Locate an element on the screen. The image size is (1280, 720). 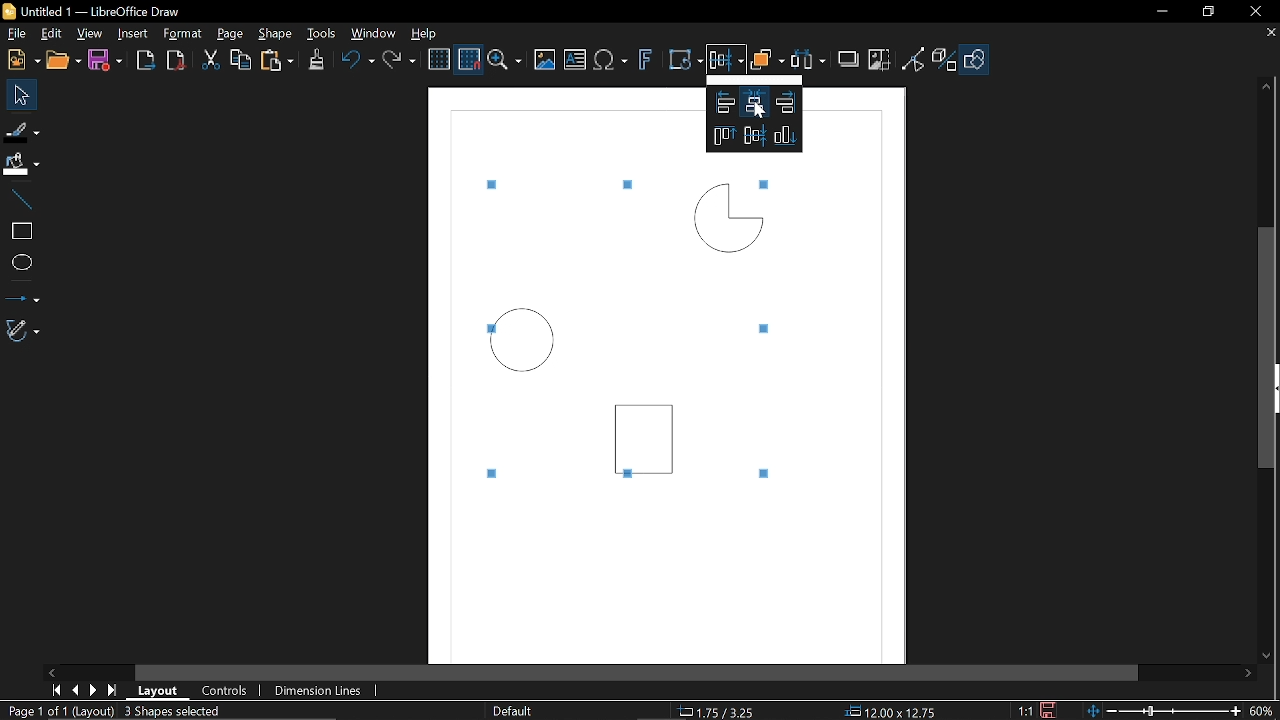
Curves and polygon is located at coordinates (22, 332).